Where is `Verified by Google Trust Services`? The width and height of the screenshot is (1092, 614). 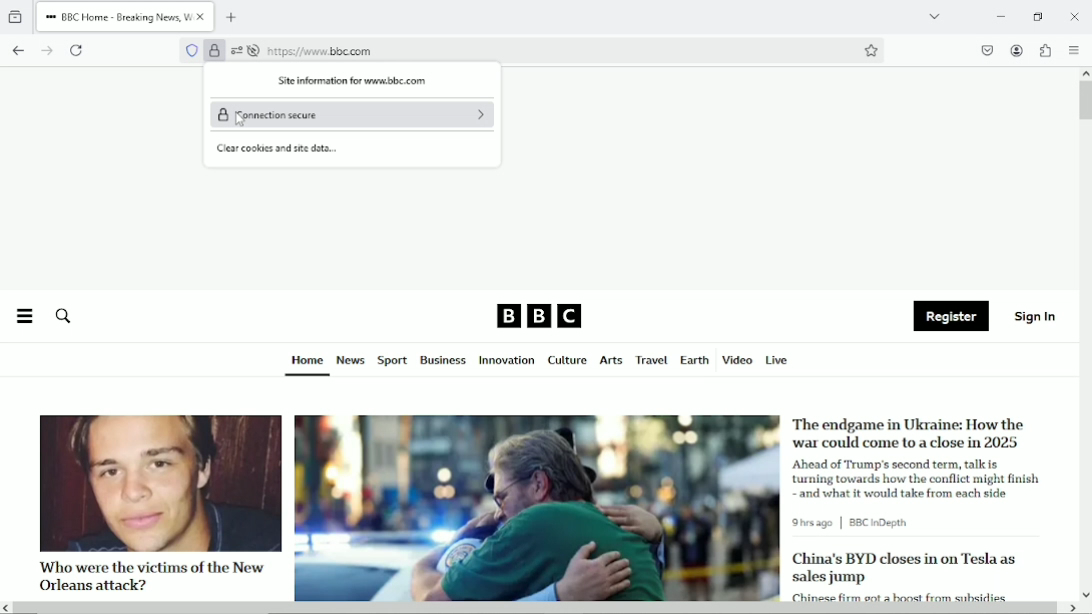 Verified by Google Trust Services is located at coordinates (213, 53).